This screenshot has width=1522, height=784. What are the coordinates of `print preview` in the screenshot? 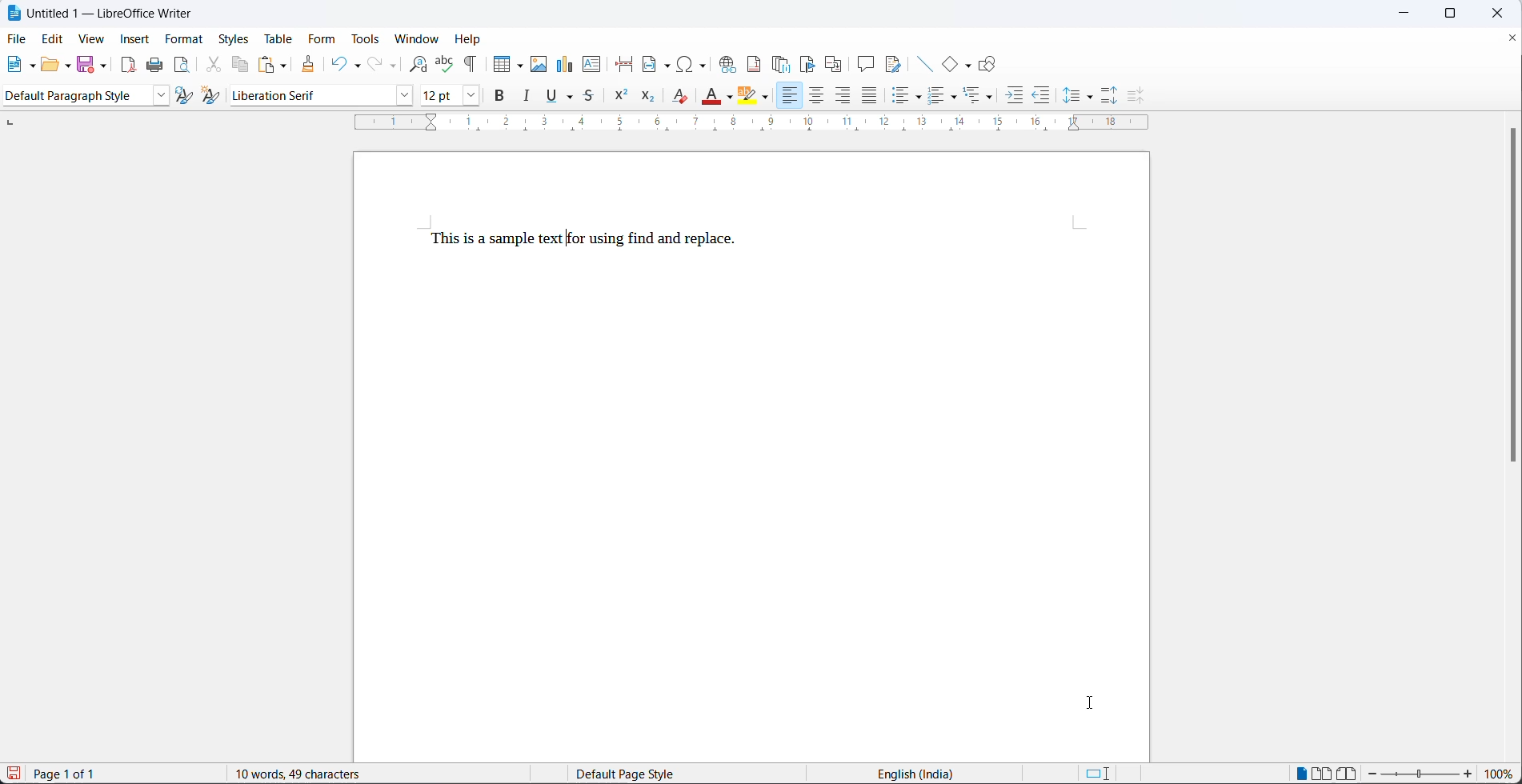 It's located at (183, 66).